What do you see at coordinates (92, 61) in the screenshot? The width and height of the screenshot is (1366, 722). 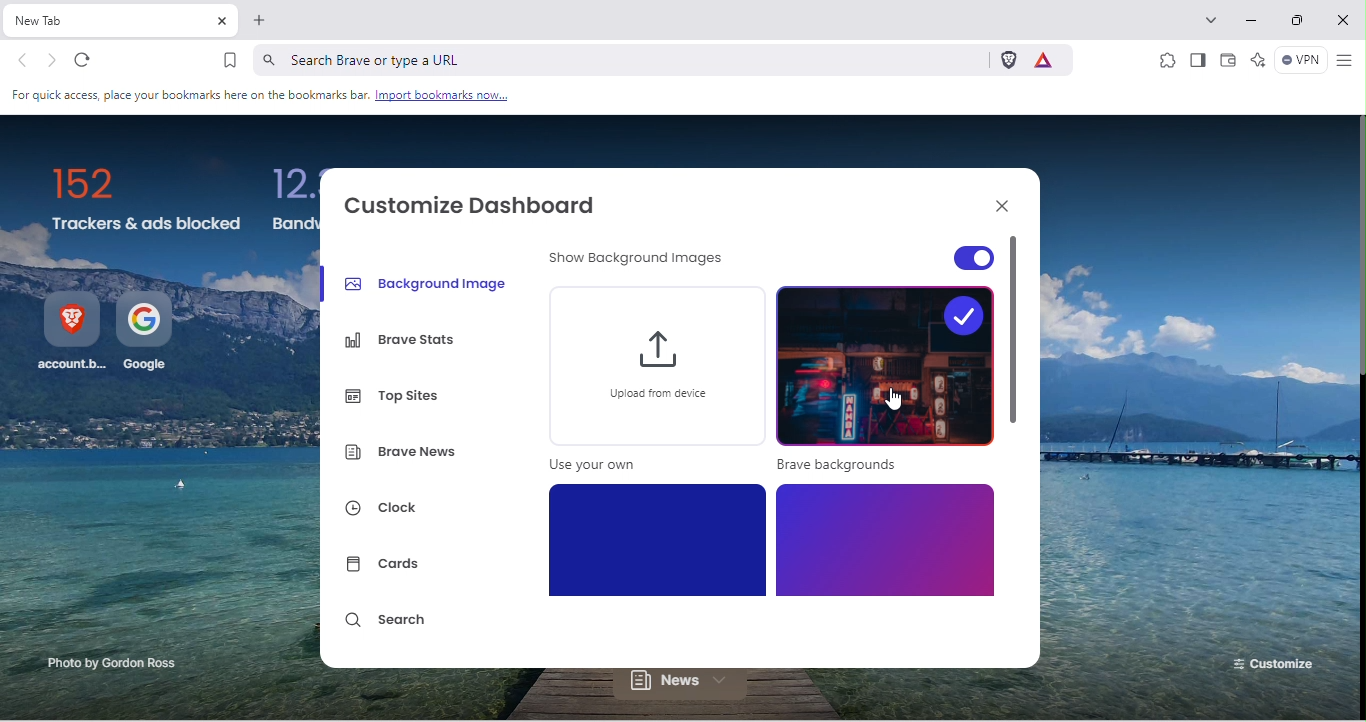 I see `Reload this page` at bounding box center [92, 61].